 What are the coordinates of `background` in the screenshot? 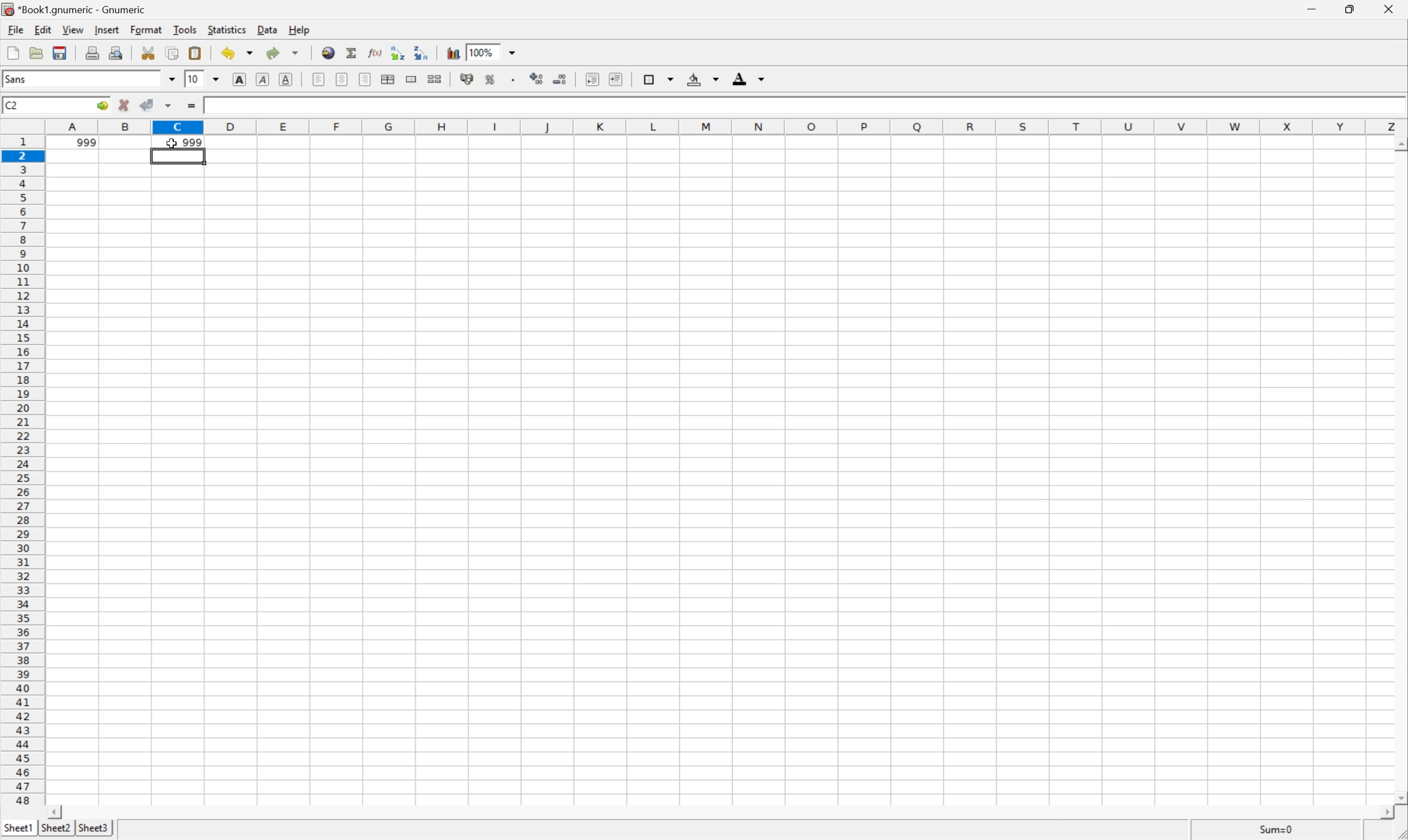 It's located at (704, 80).